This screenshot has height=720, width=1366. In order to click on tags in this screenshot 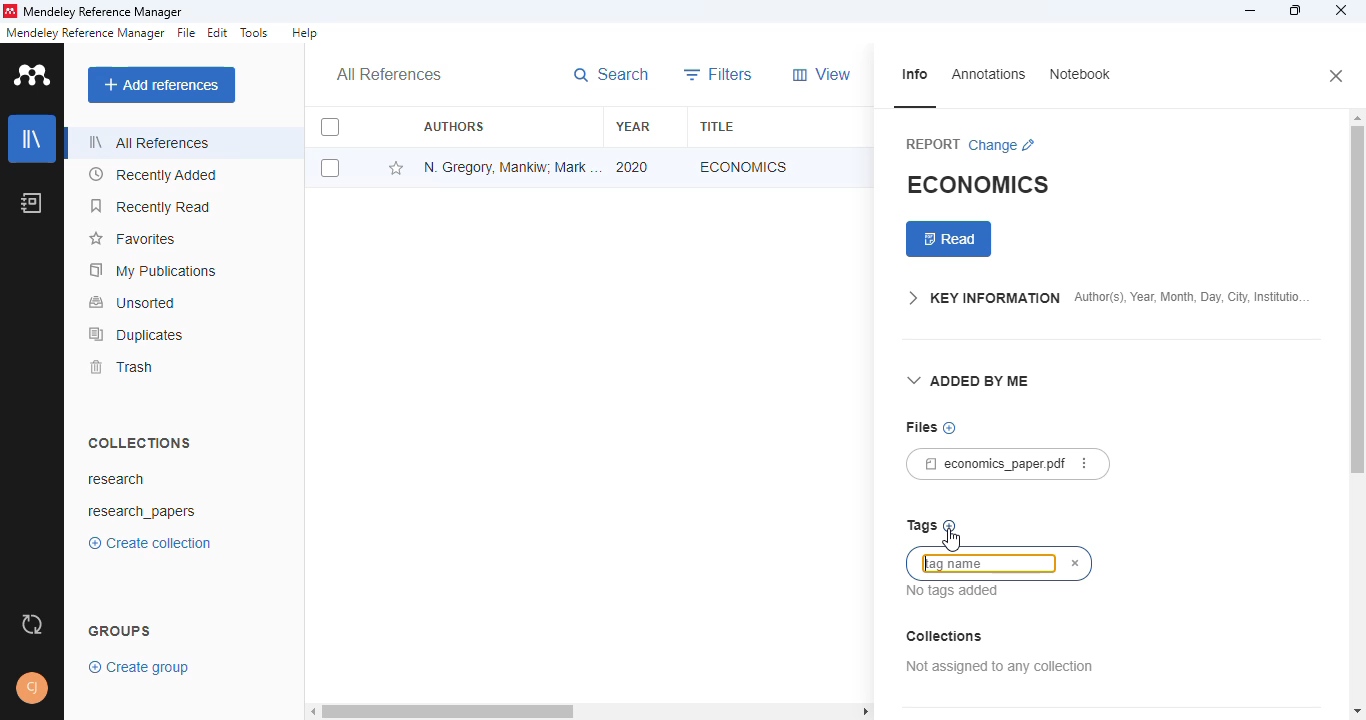, I will do `click(921, 526)`.